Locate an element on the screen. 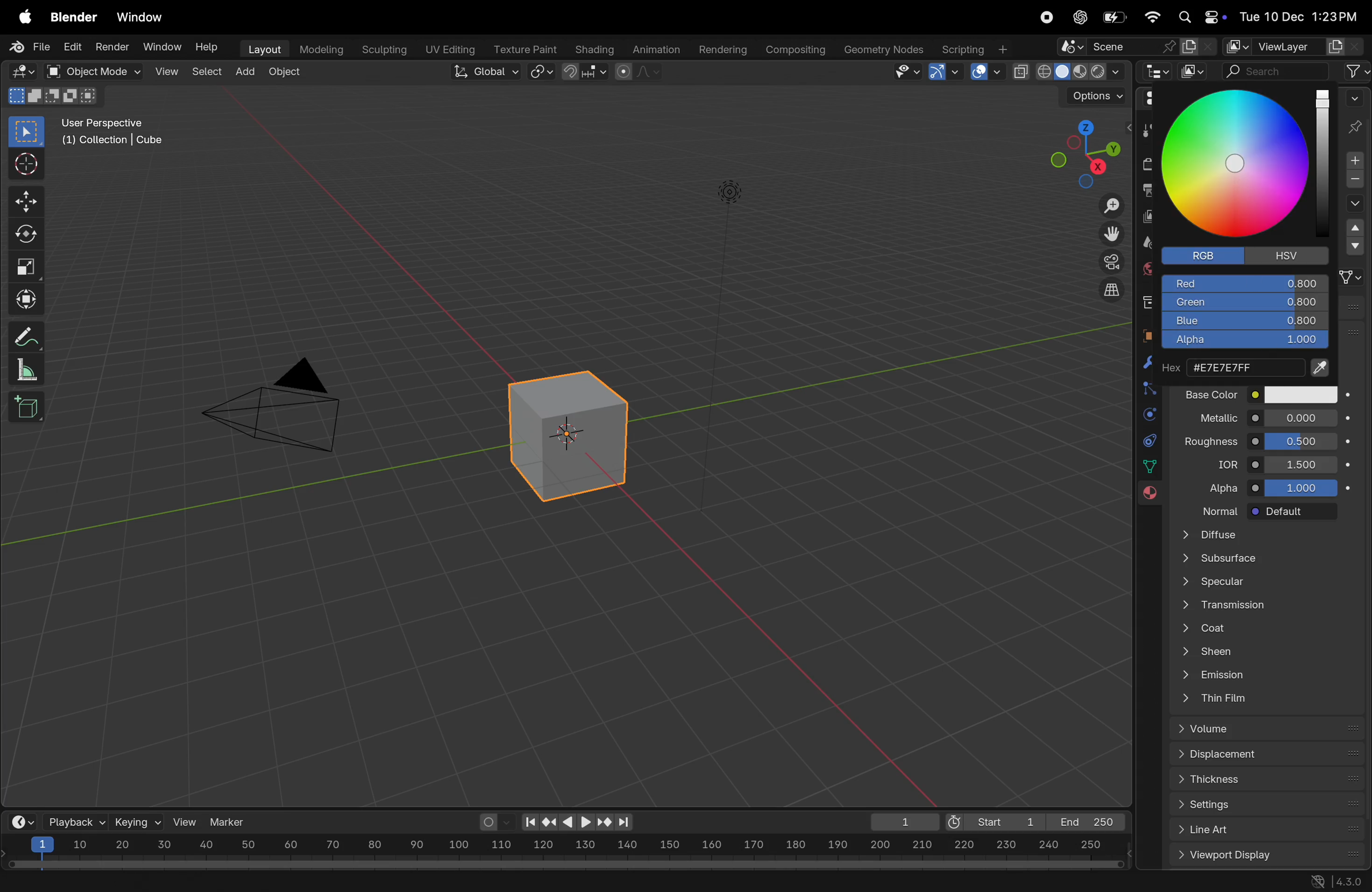  transform point is located at coordinates (586, 72).